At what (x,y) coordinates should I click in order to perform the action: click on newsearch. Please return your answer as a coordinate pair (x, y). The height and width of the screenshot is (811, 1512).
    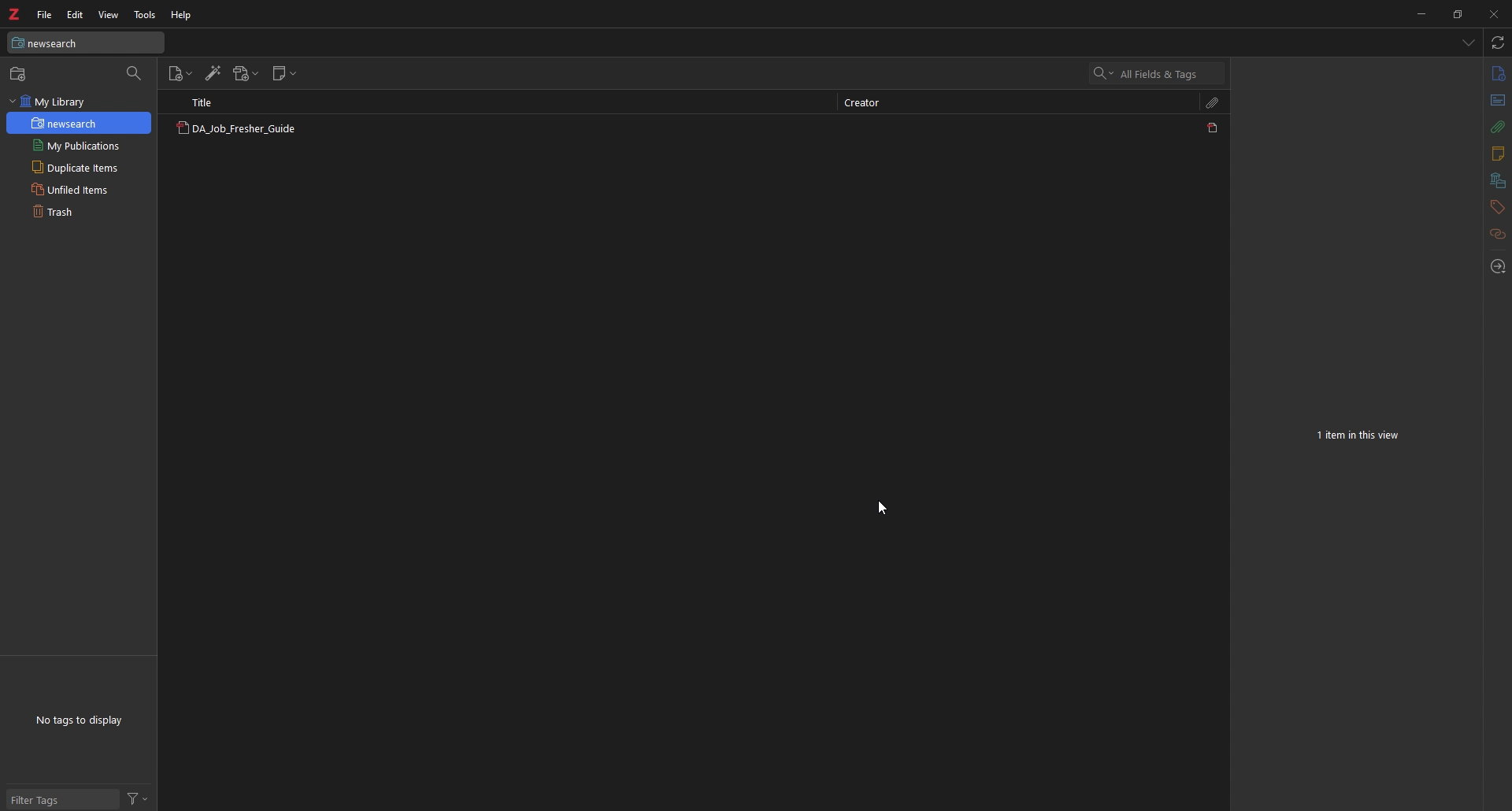
    Looking at the image, I should click on (80, 123).